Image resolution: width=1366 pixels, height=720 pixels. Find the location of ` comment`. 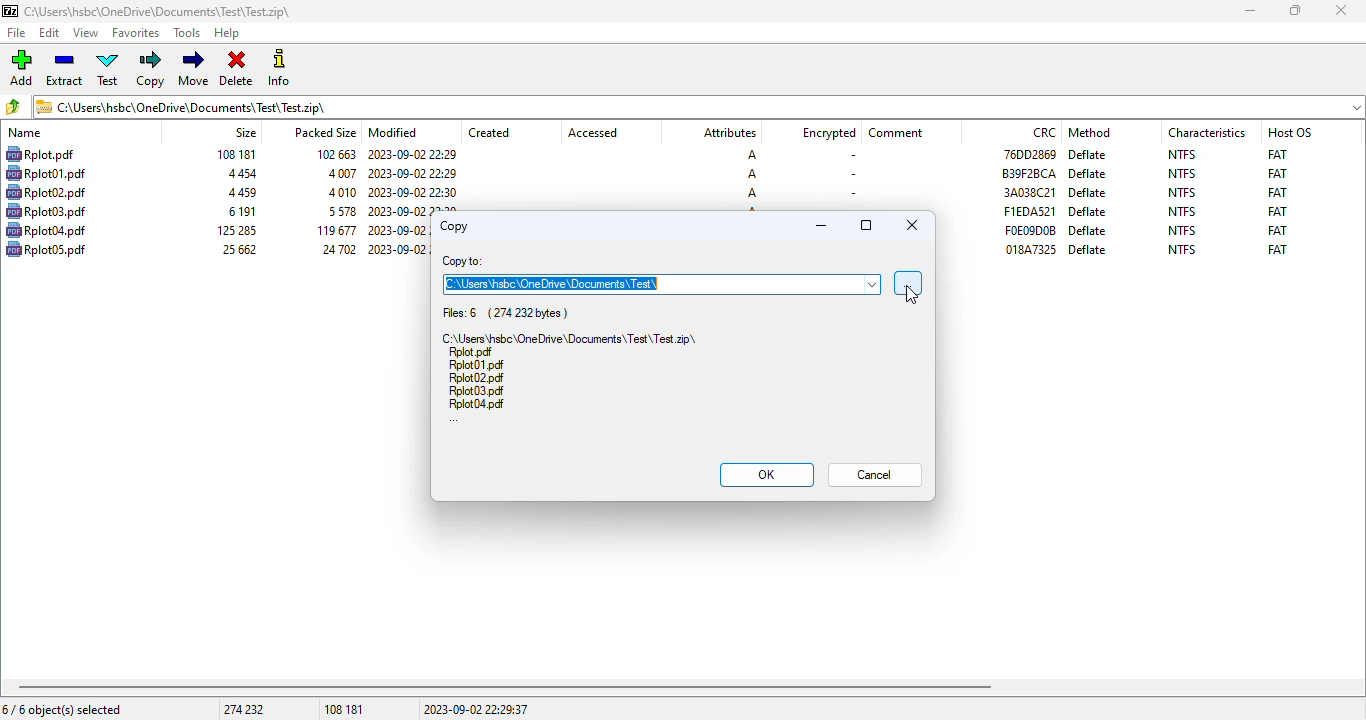

 comment is located at coordinates (896, 133).